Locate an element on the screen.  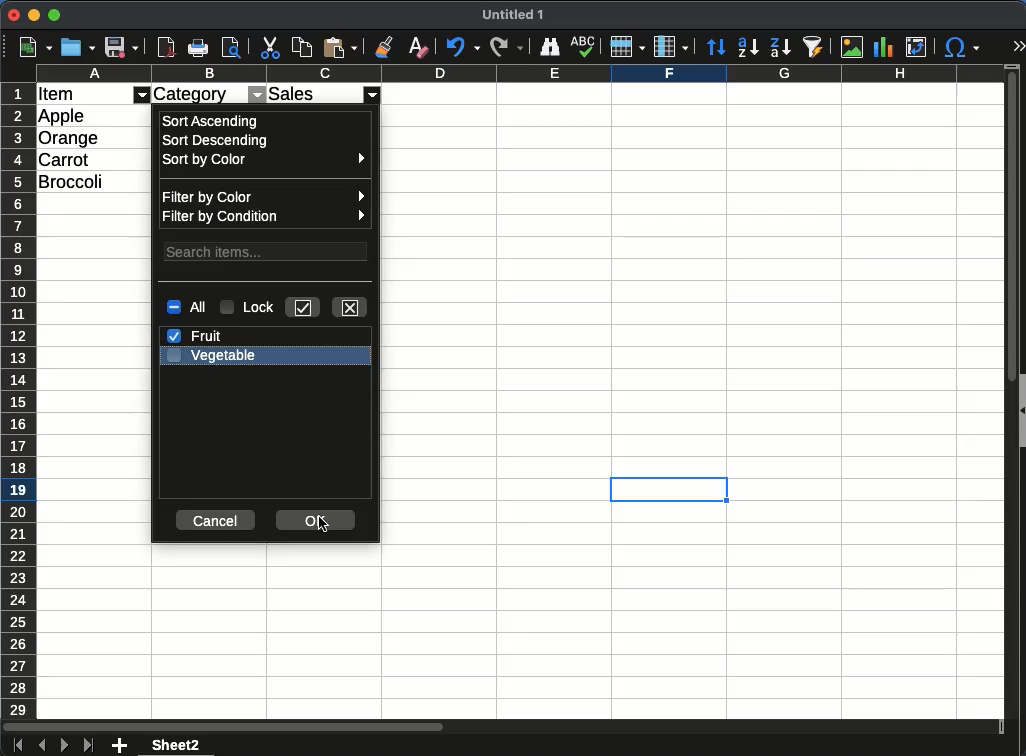
sort is located at coordinates (715, 45).